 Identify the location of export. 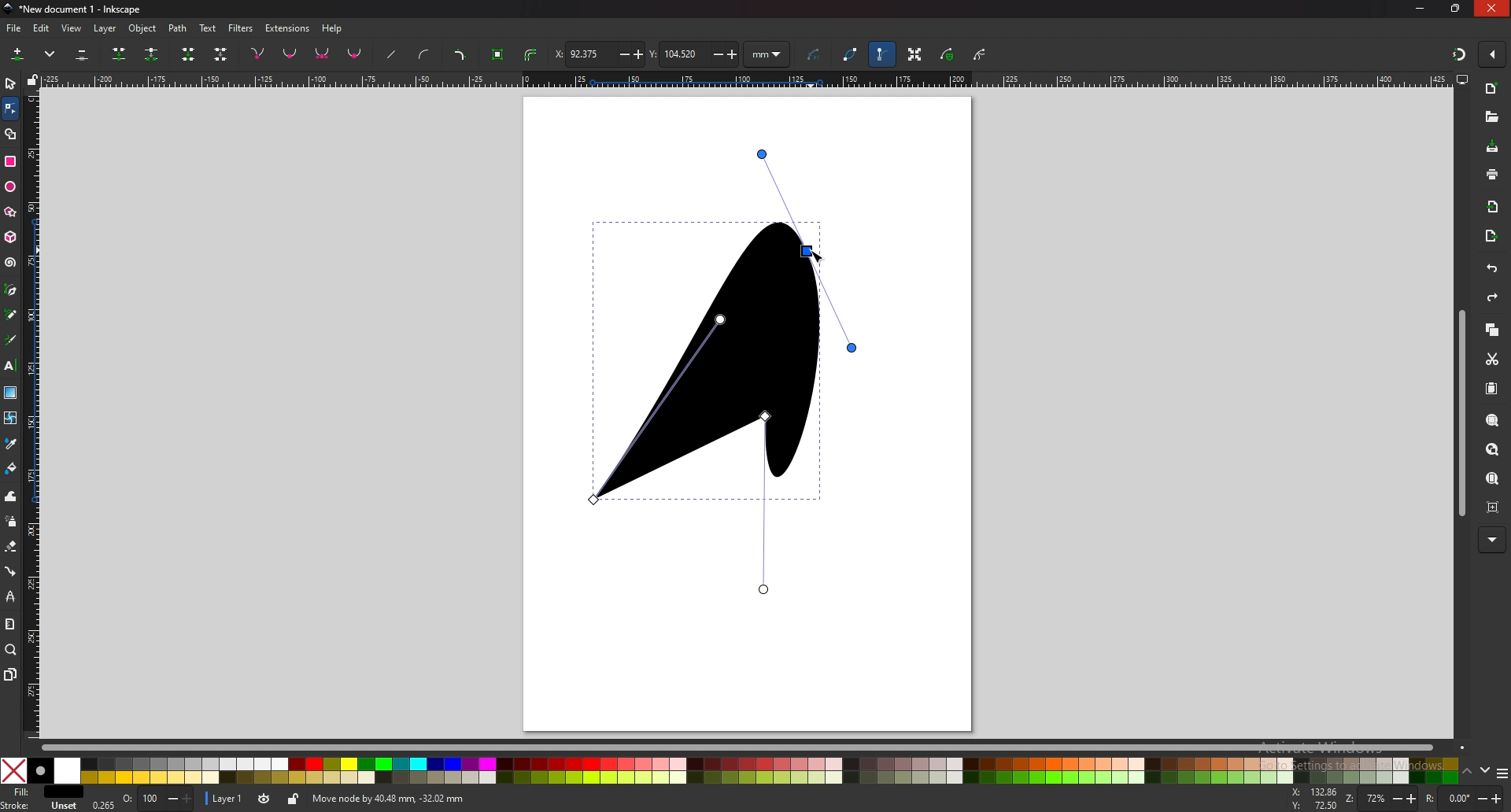
(1490, 238).